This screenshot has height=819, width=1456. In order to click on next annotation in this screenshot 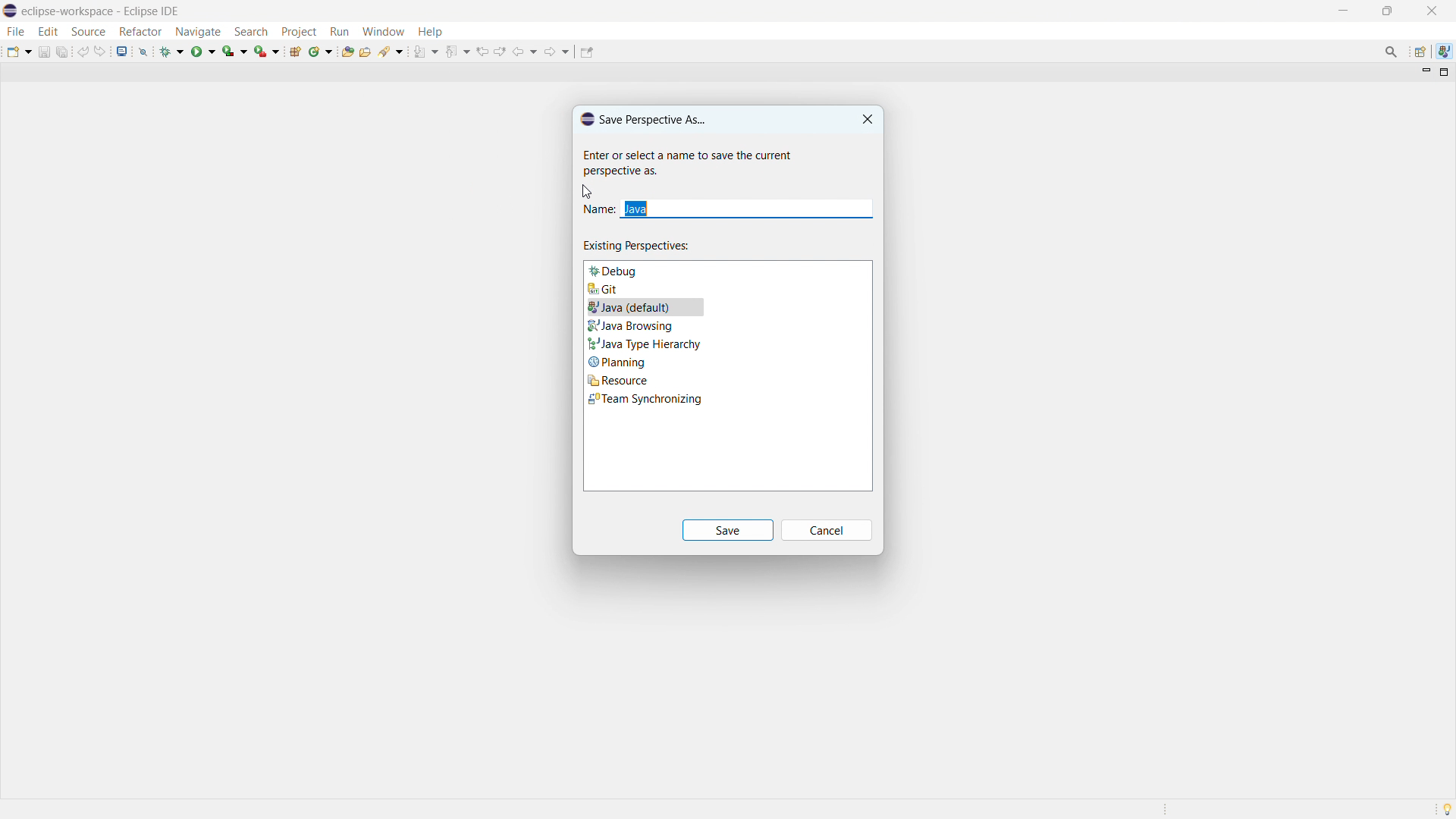, I will do `click(426, 52)`.